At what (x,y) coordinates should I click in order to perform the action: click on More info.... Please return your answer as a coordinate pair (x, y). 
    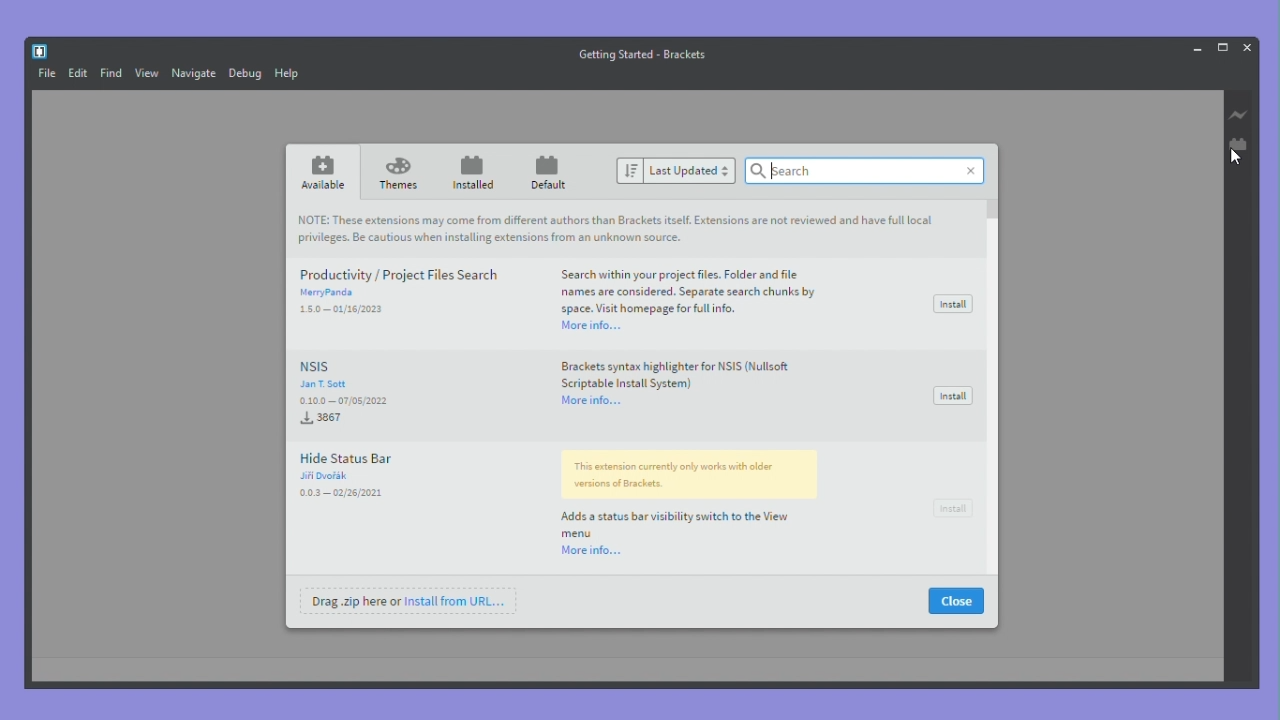
    Looking at the image, I should click on (590, 324).